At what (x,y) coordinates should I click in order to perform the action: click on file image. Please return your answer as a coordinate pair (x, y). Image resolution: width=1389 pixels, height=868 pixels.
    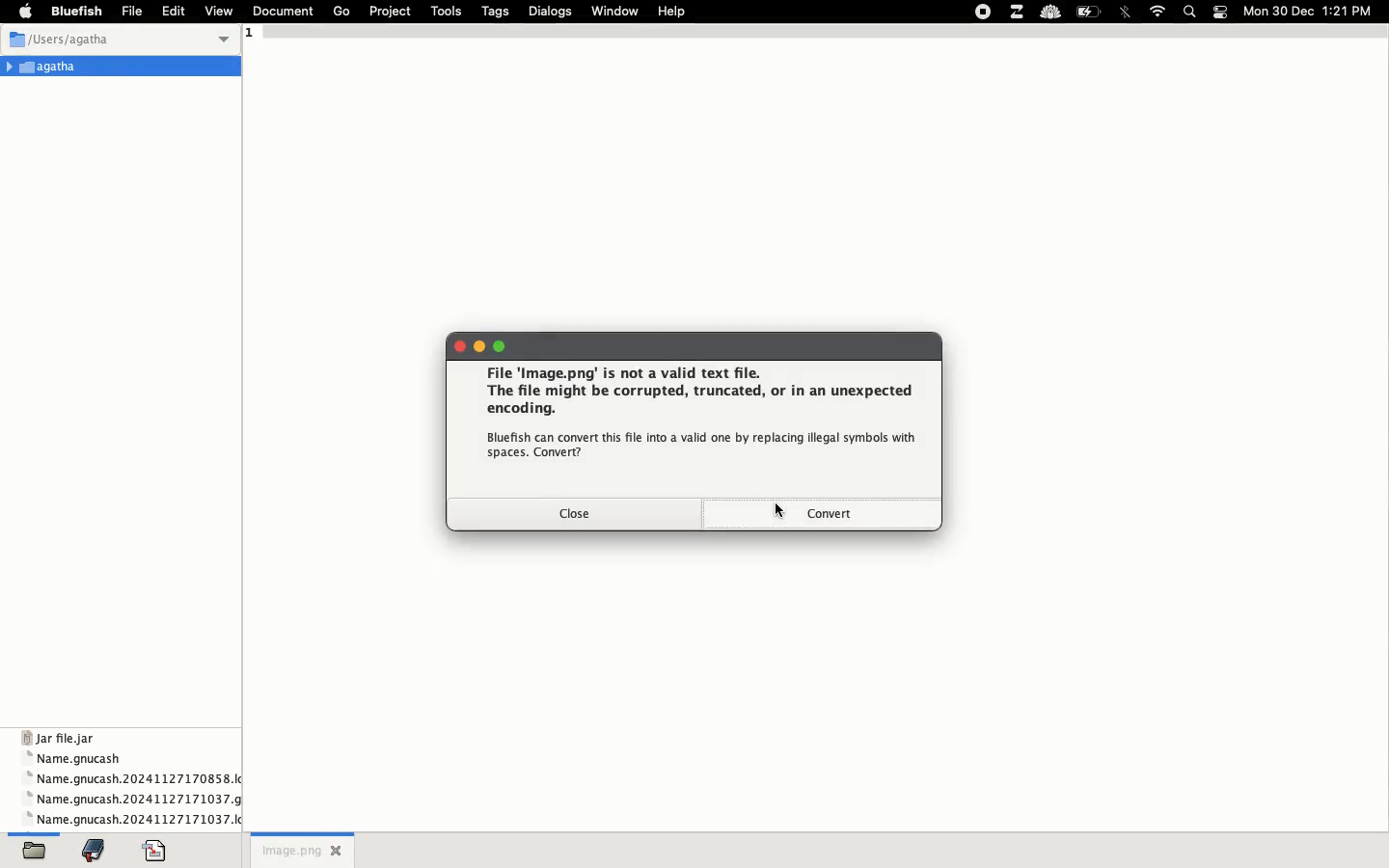
    Looking at the image, I should click on (699, 415).